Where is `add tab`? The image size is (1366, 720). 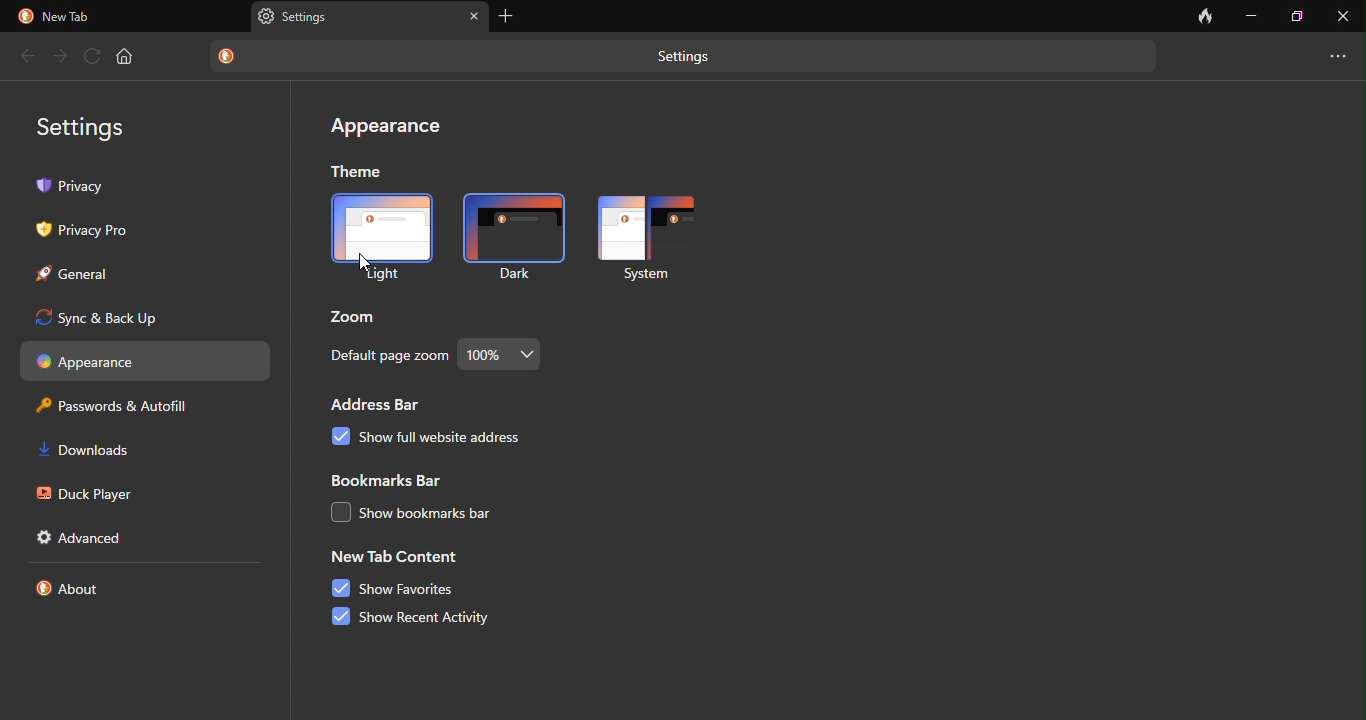 add tab is located at coordinates (510, 16).